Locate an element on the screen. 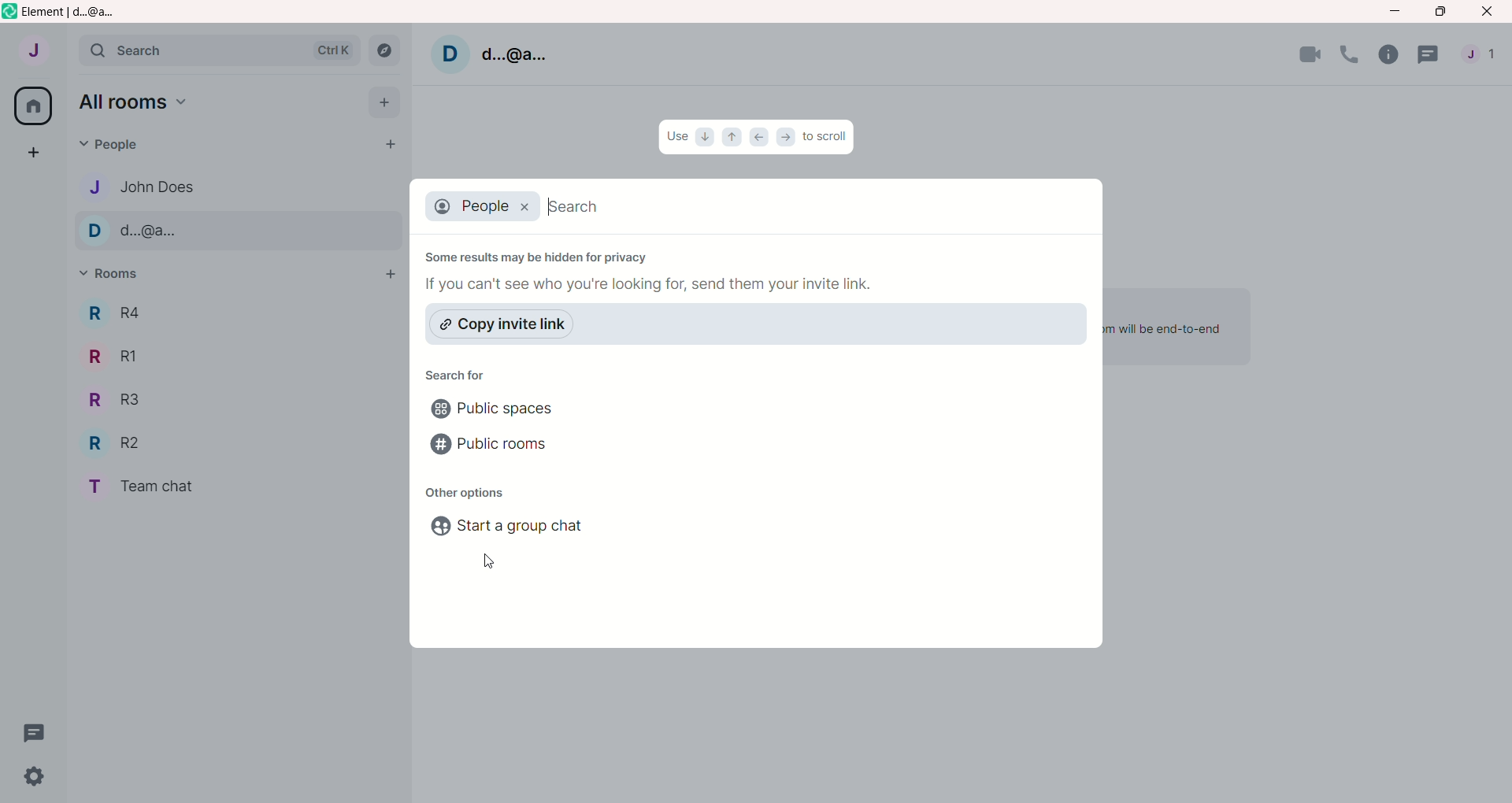  R1 is located at coordinates (114, 355).